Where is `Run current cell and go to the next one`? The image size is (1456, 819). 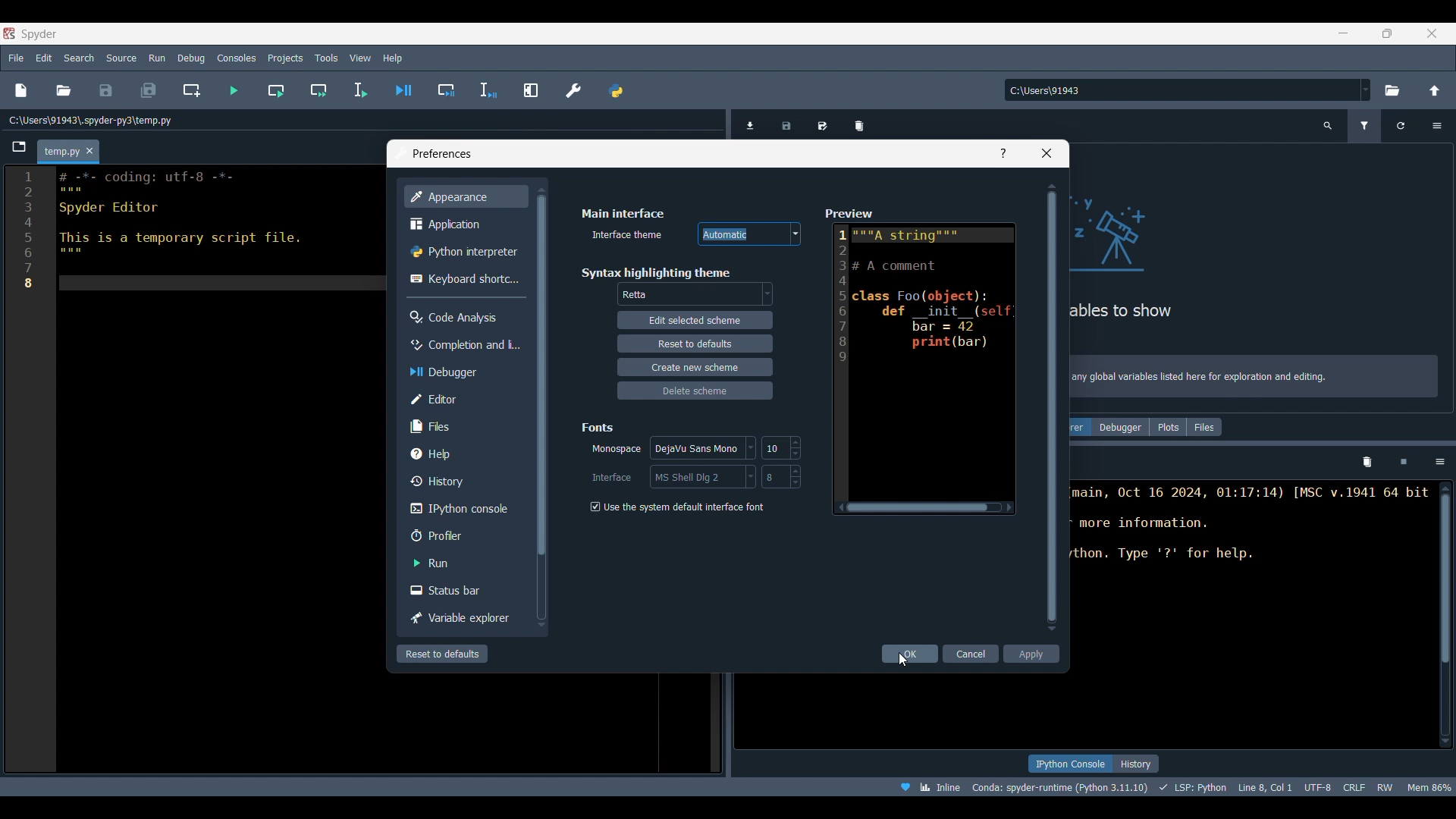 Run current cell and go to the next one is located at coordinates (318, 90).